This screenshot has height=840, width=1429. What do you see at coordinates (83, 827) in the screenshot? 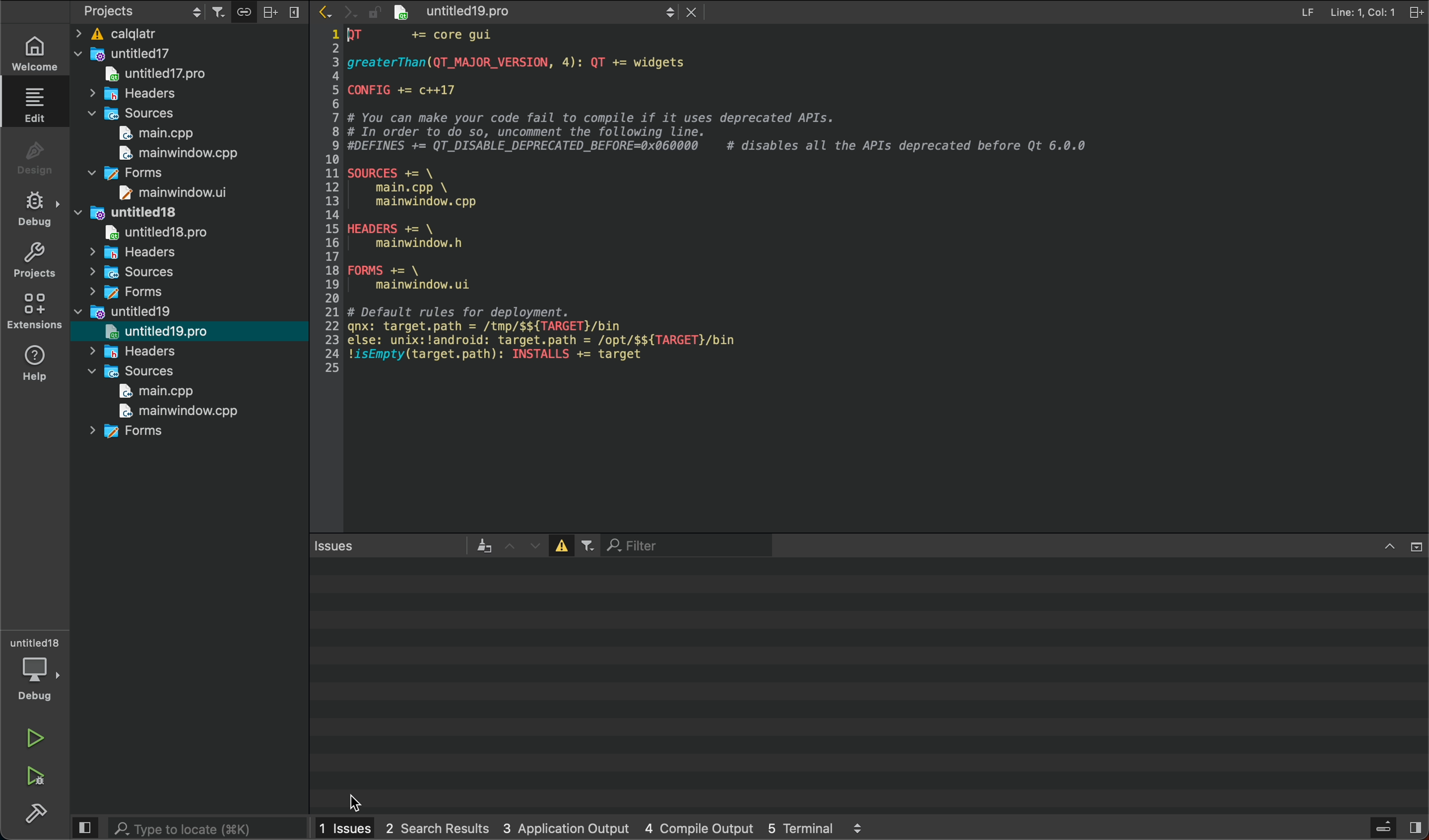
I see `close slidebar` at bounding box center [83, 827].